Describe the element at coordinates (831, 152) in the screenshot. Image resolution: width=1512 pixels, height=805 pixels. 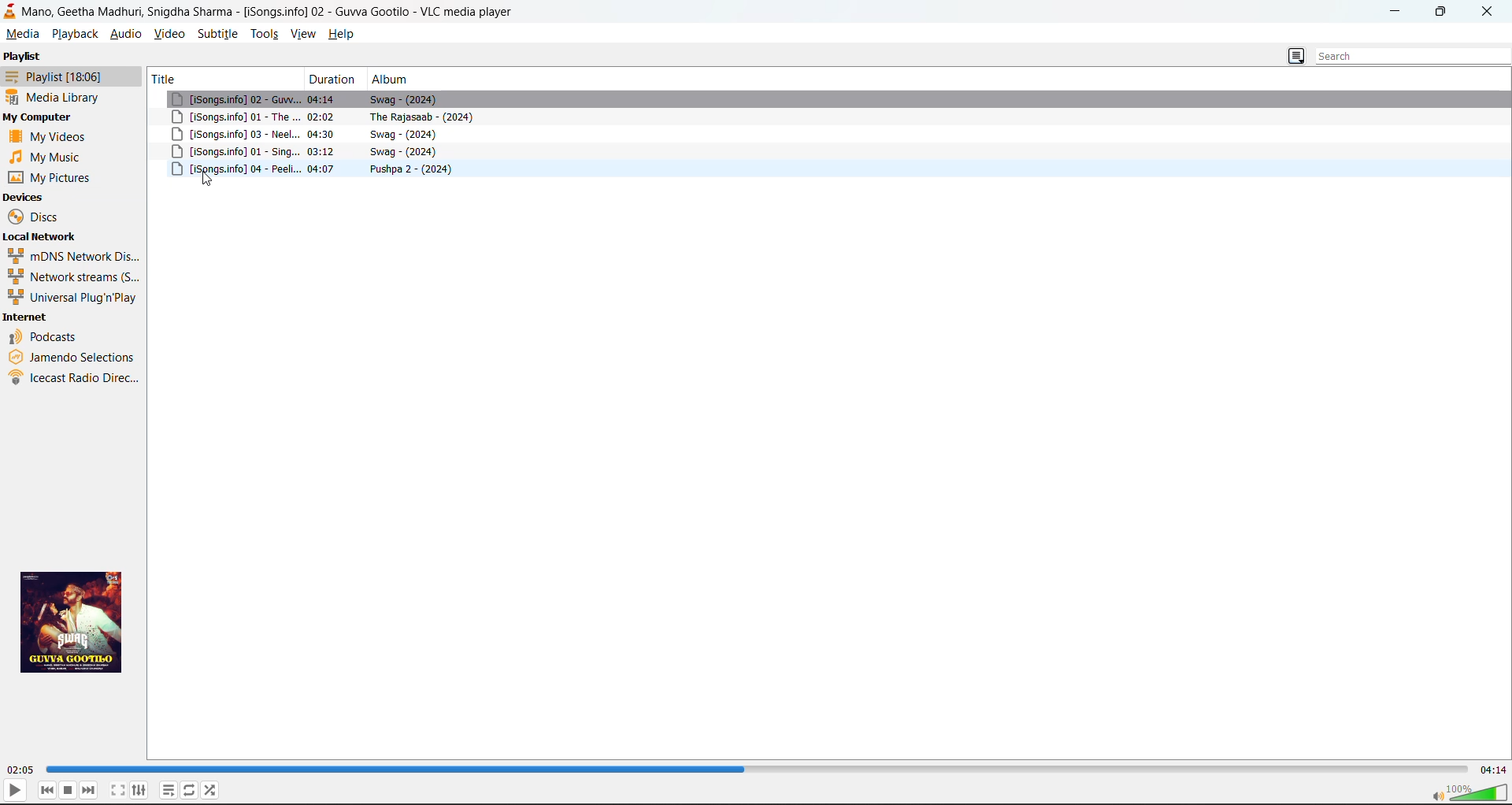
I see `song` at that location.